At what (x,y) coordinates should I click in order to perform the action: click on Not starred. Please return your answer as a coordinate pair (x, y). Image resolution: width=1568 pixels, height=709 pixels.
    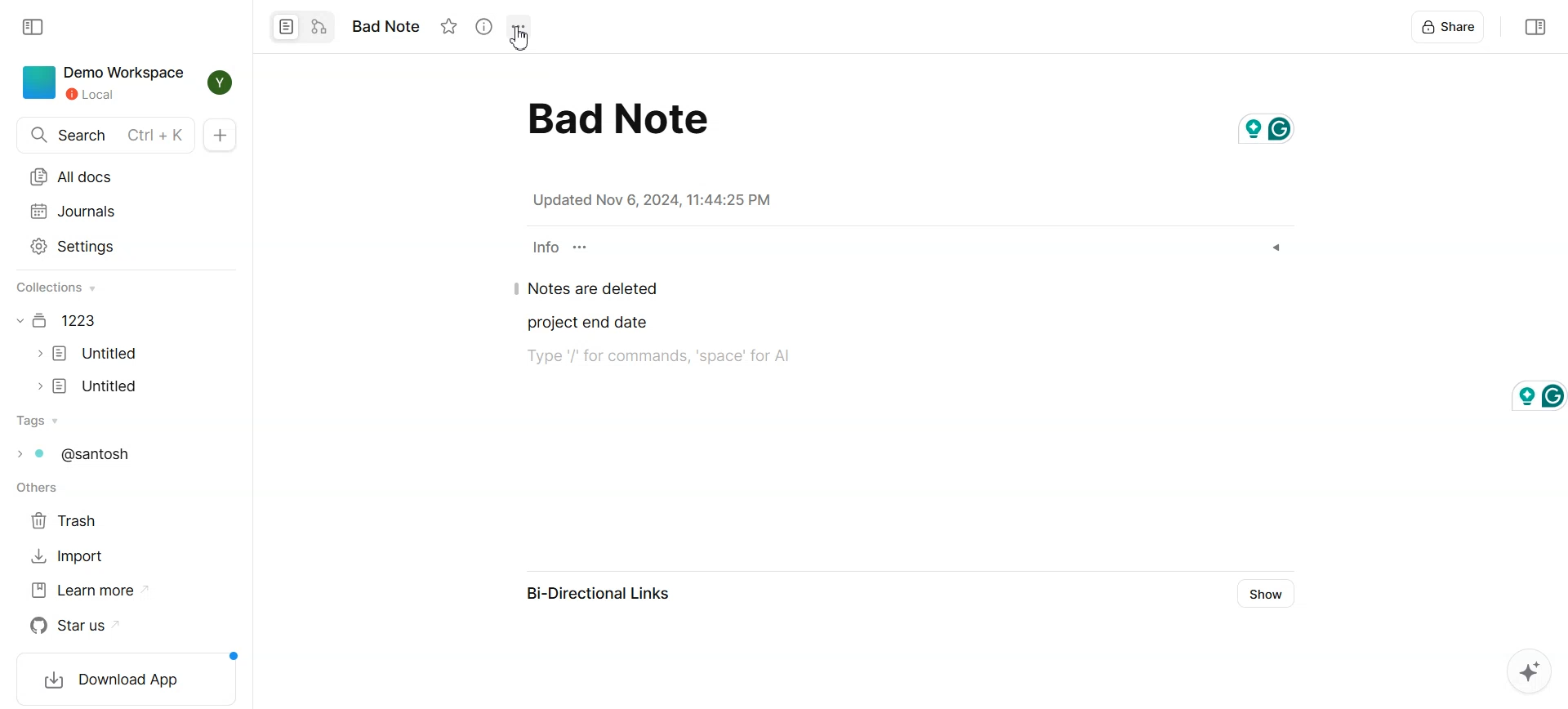
    Looking at the image, I should click on (449, 26).